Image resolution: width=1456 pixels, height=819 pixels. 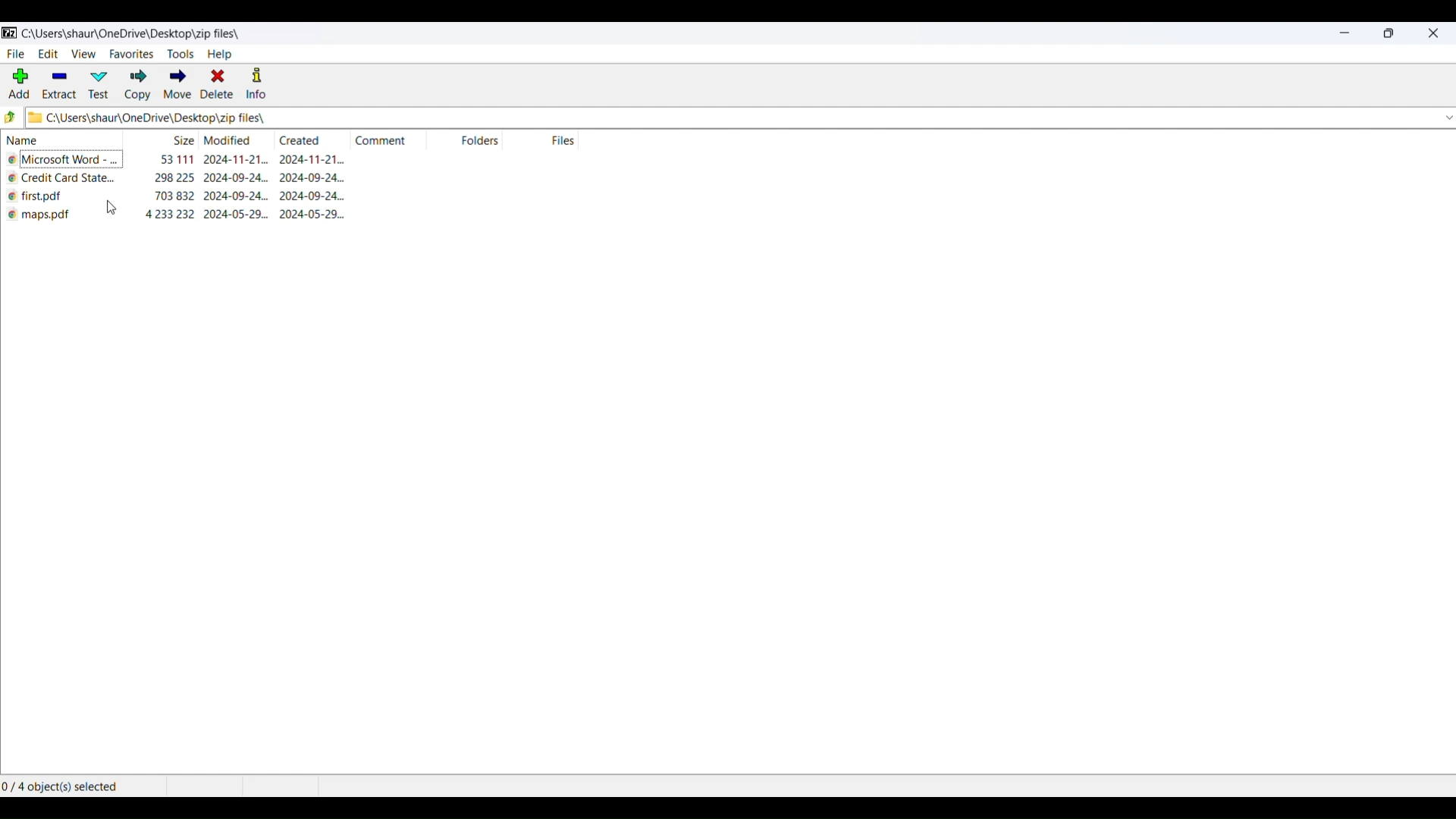 What do you see at coordinates (300, 140) in the screenshot?
I see `created` at bounding box center [300, 140].